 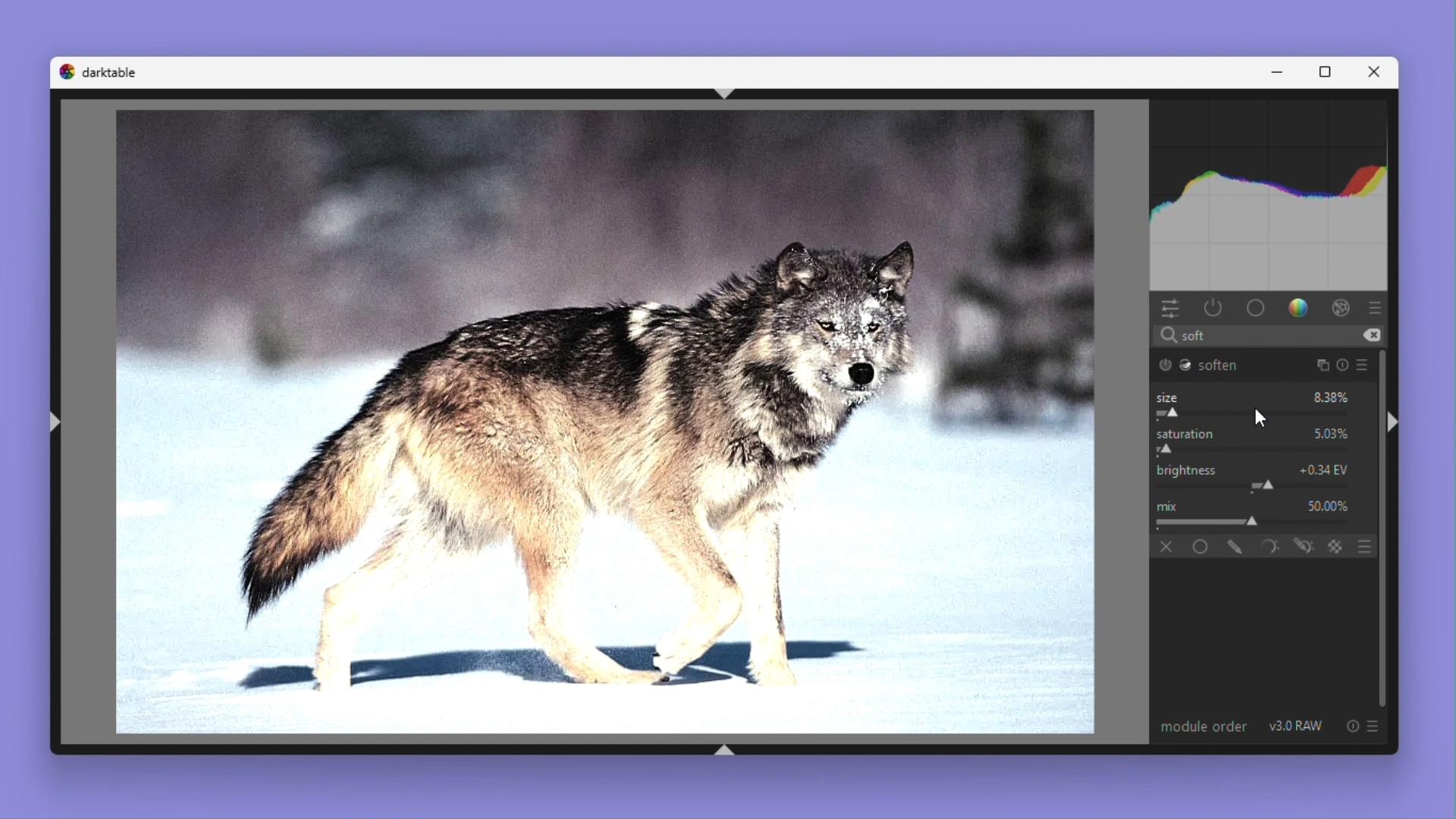 What do you see at coordinates (1344, 366) in the screenshot?
I see `Reset` at bounding box center [1344, 366].